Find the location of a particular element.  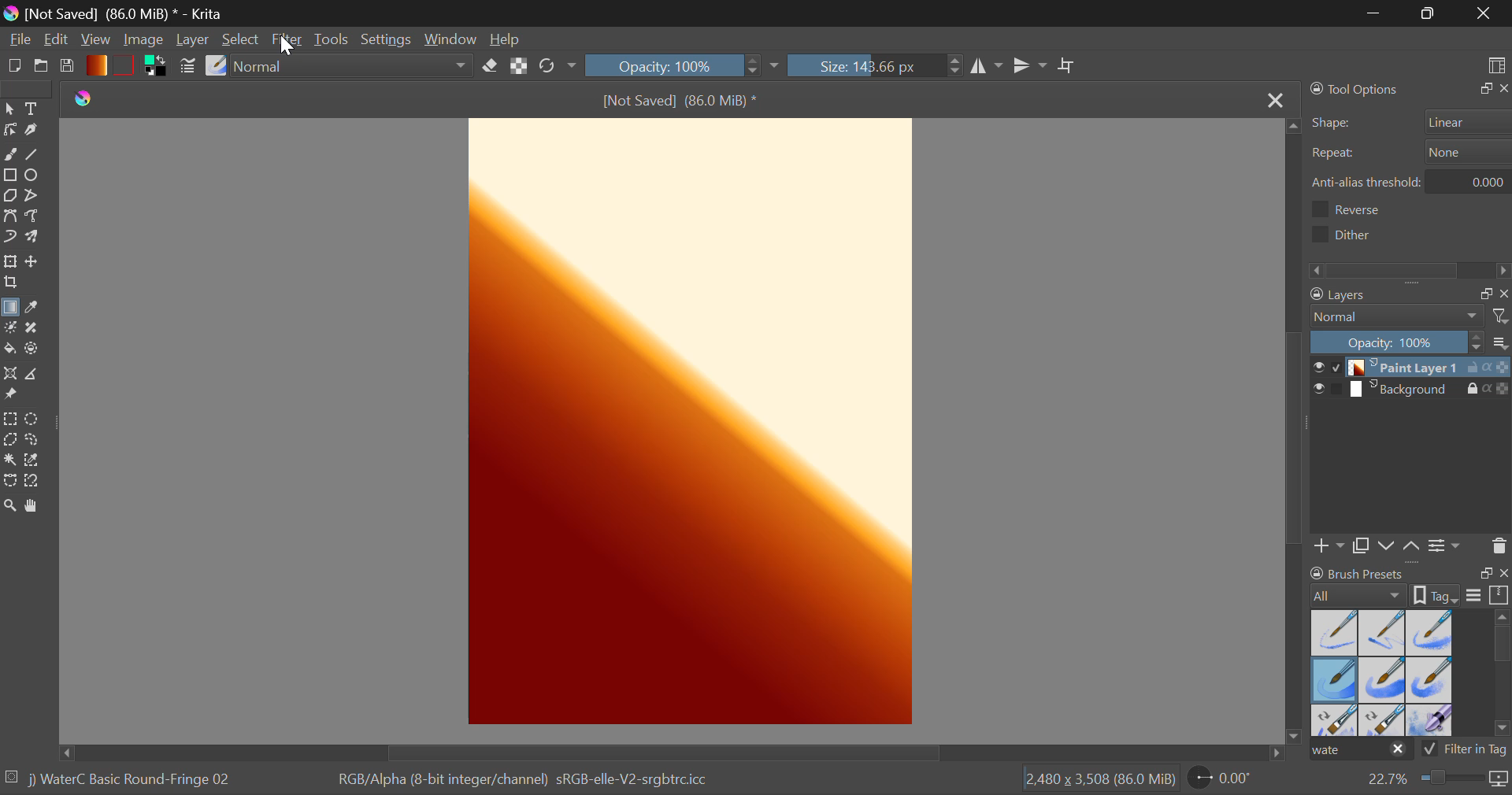

Move Layers is located at coordinates (32, 261).